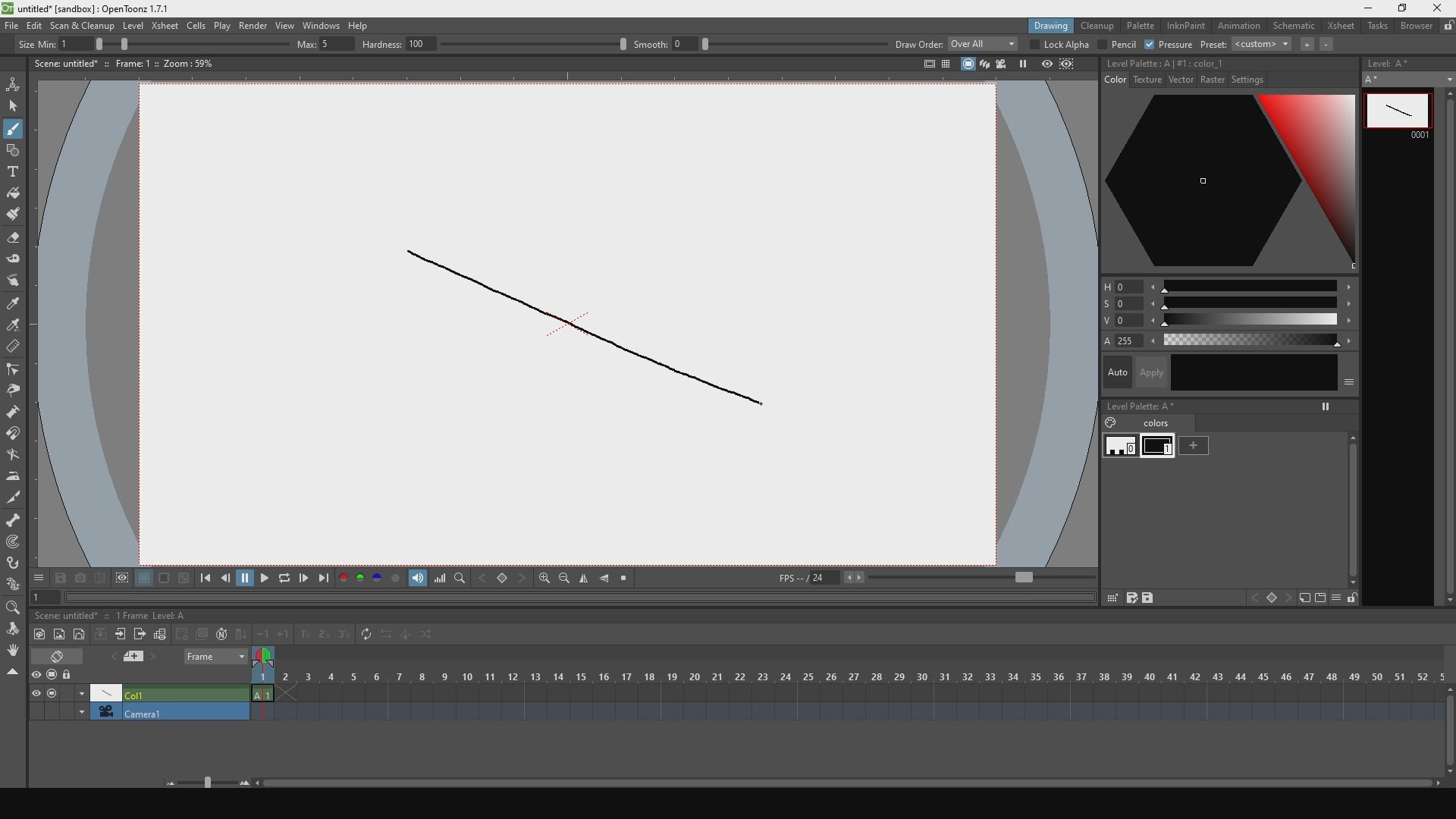 This screenshot has width=1456, height=819. I want to click on color , so click(1232, 342).